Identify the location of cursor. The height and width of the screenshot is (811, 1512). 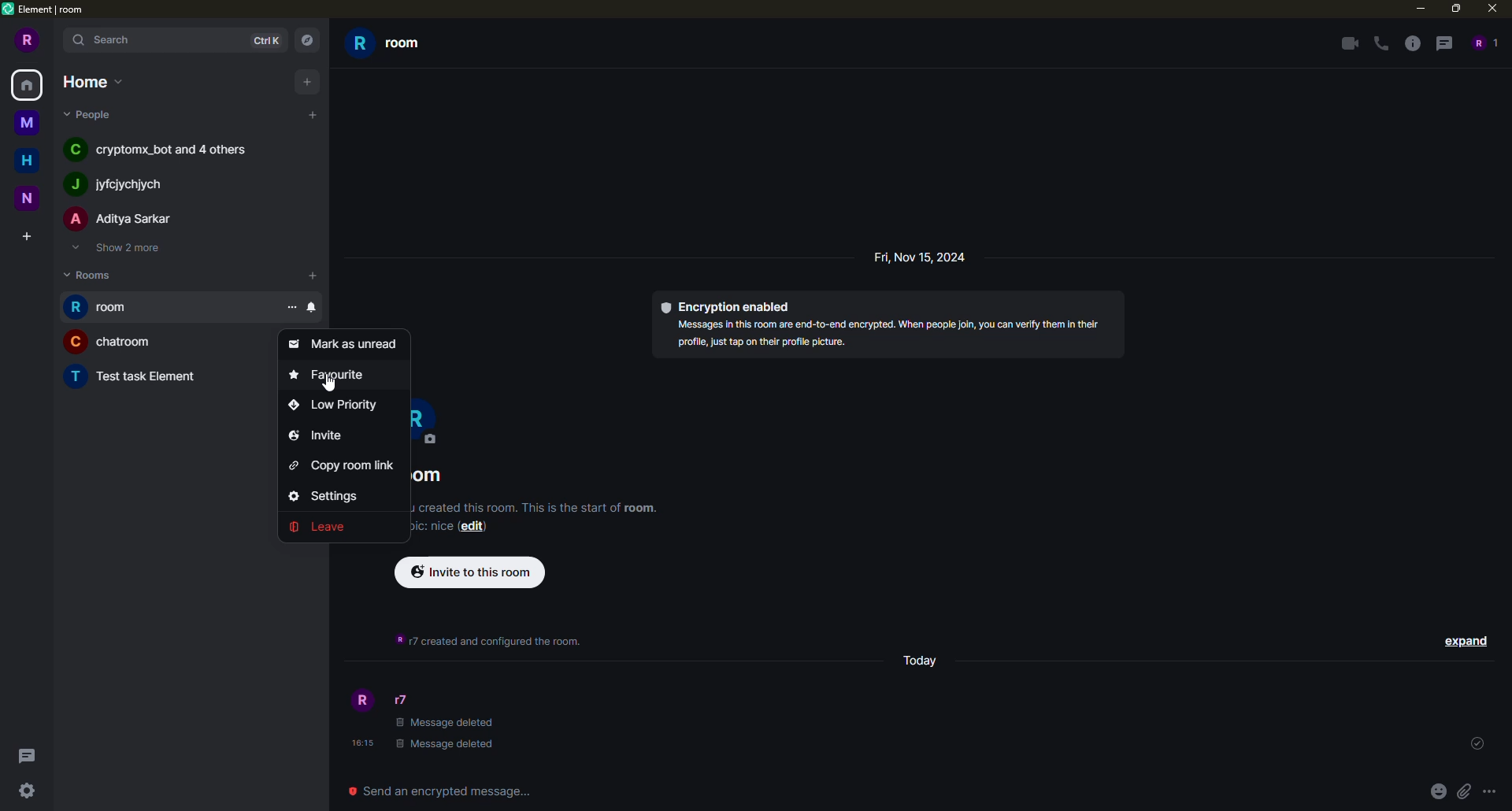
(326, 387).